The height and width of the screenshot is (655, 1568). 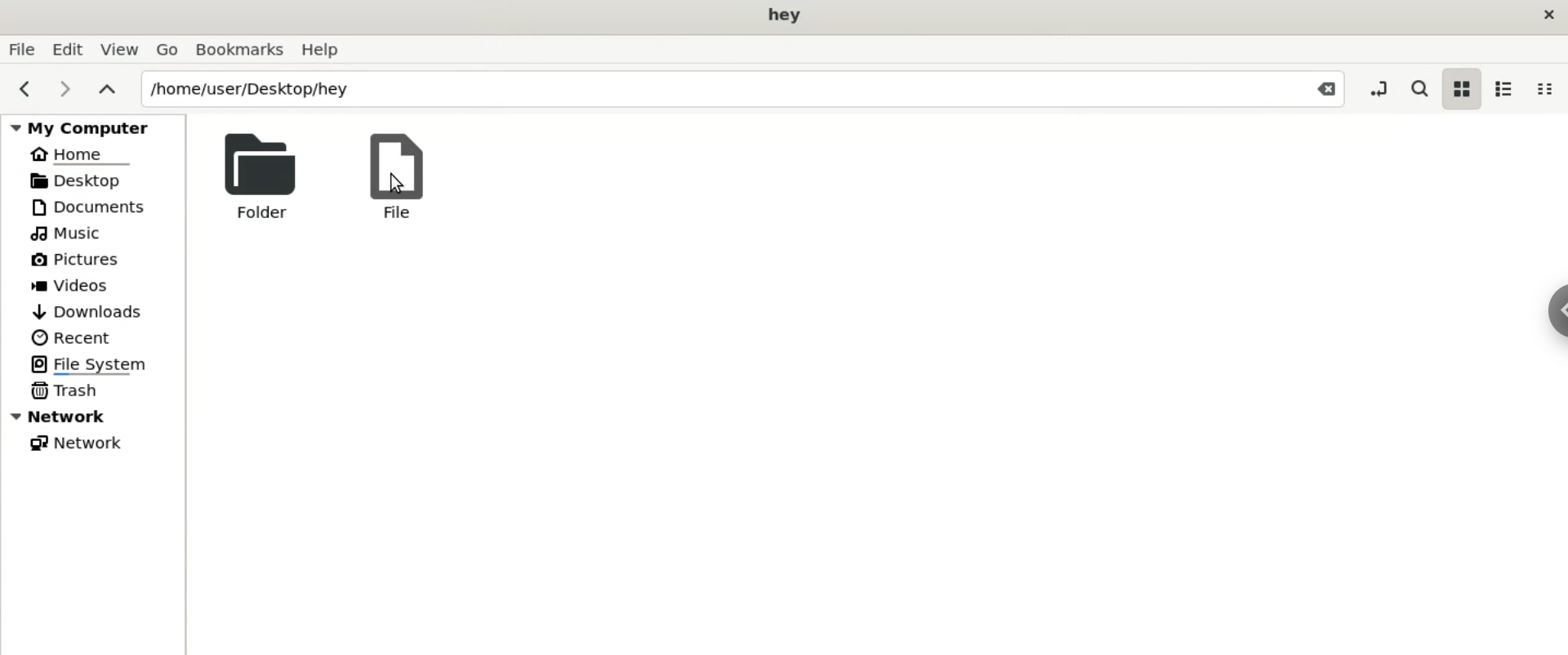 What do you see at coordinates (74, 284) in the screenshot?
I see `videos` at bounding box center [74, 284].